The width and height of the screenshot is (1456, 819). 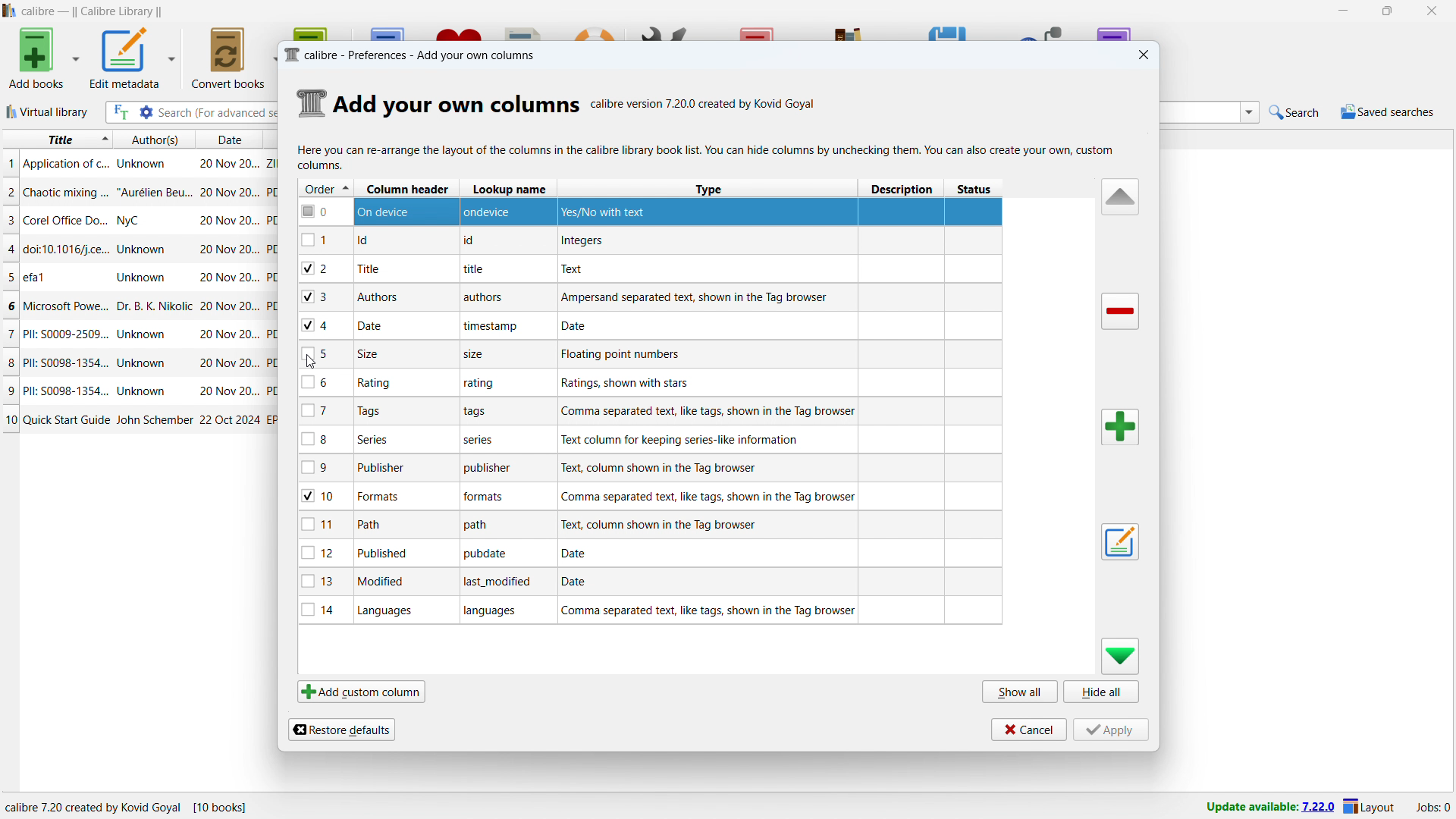 What do you see at coordinates (578, 554) in the screenshot?
I see `Date` at bounding box center [578, 554].